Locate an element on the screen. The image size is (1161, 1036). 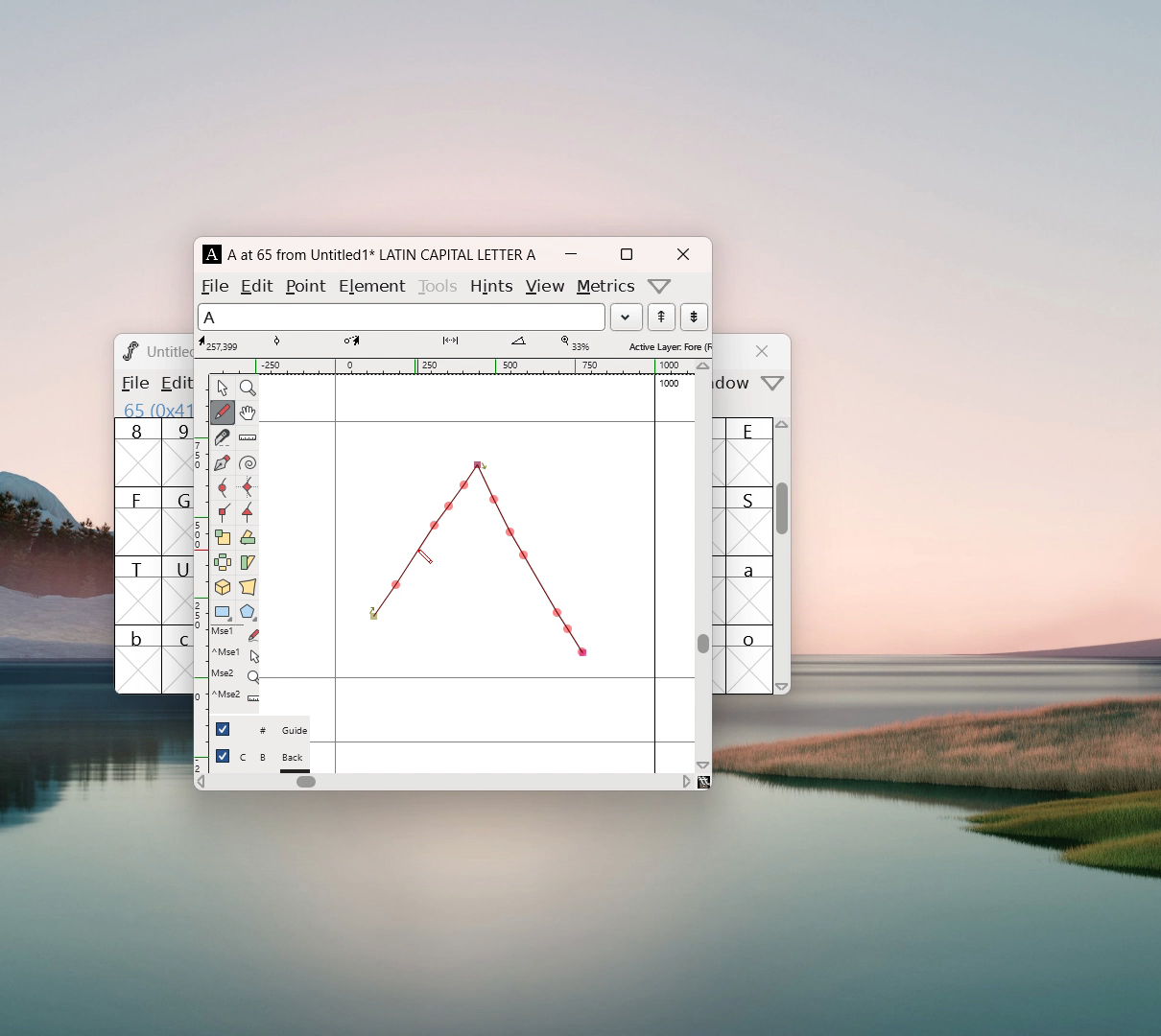
Mse2 is located at coordinates (235, 674).